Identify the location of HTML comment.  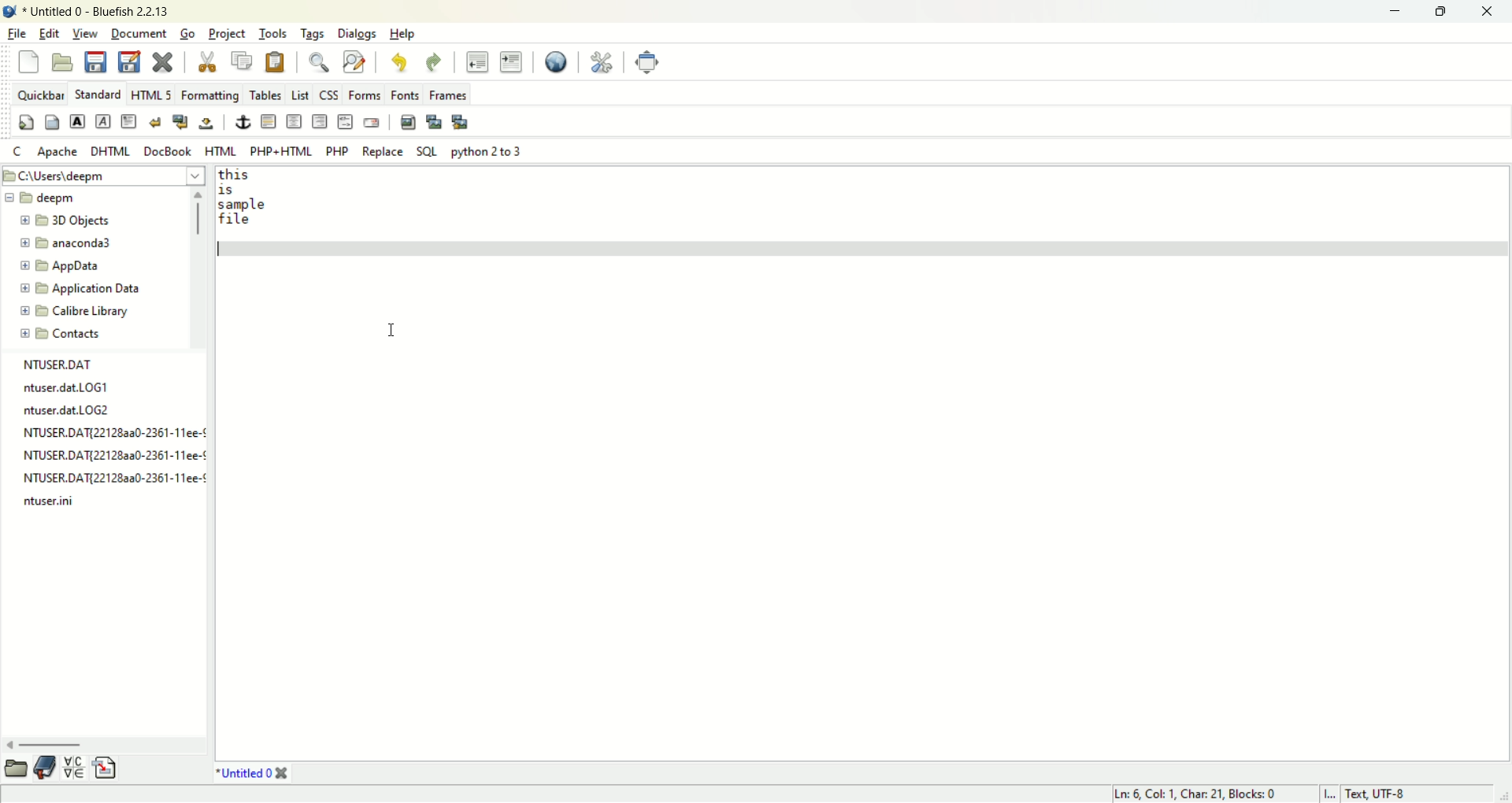
(346, 123).